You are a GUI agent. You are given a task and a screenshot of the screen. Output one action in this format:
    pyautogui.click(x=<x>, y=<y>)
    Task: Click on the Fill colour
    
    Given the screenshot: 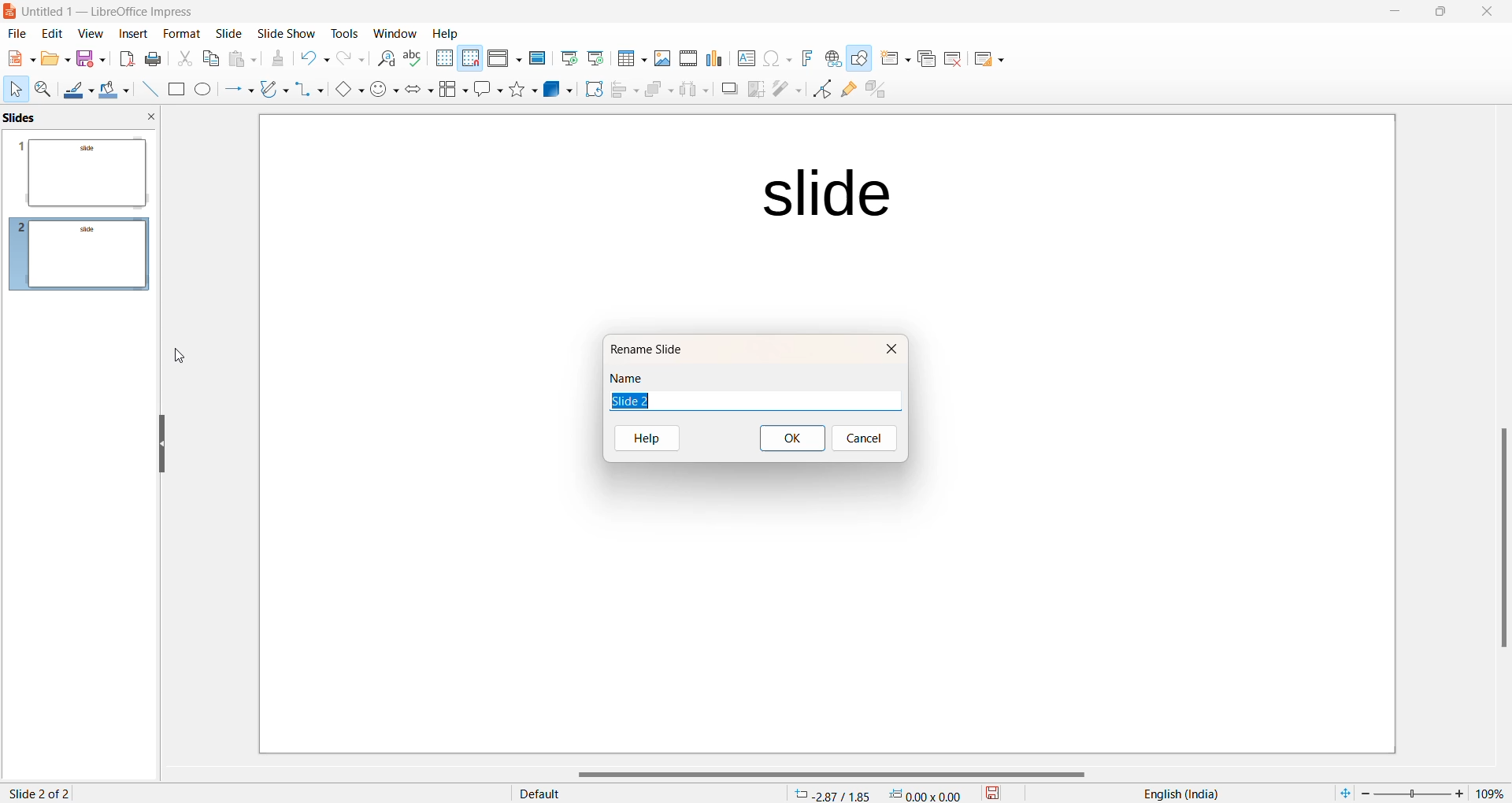 What is the action you would take?
    pyautogui.click(x=112, y=89)
    